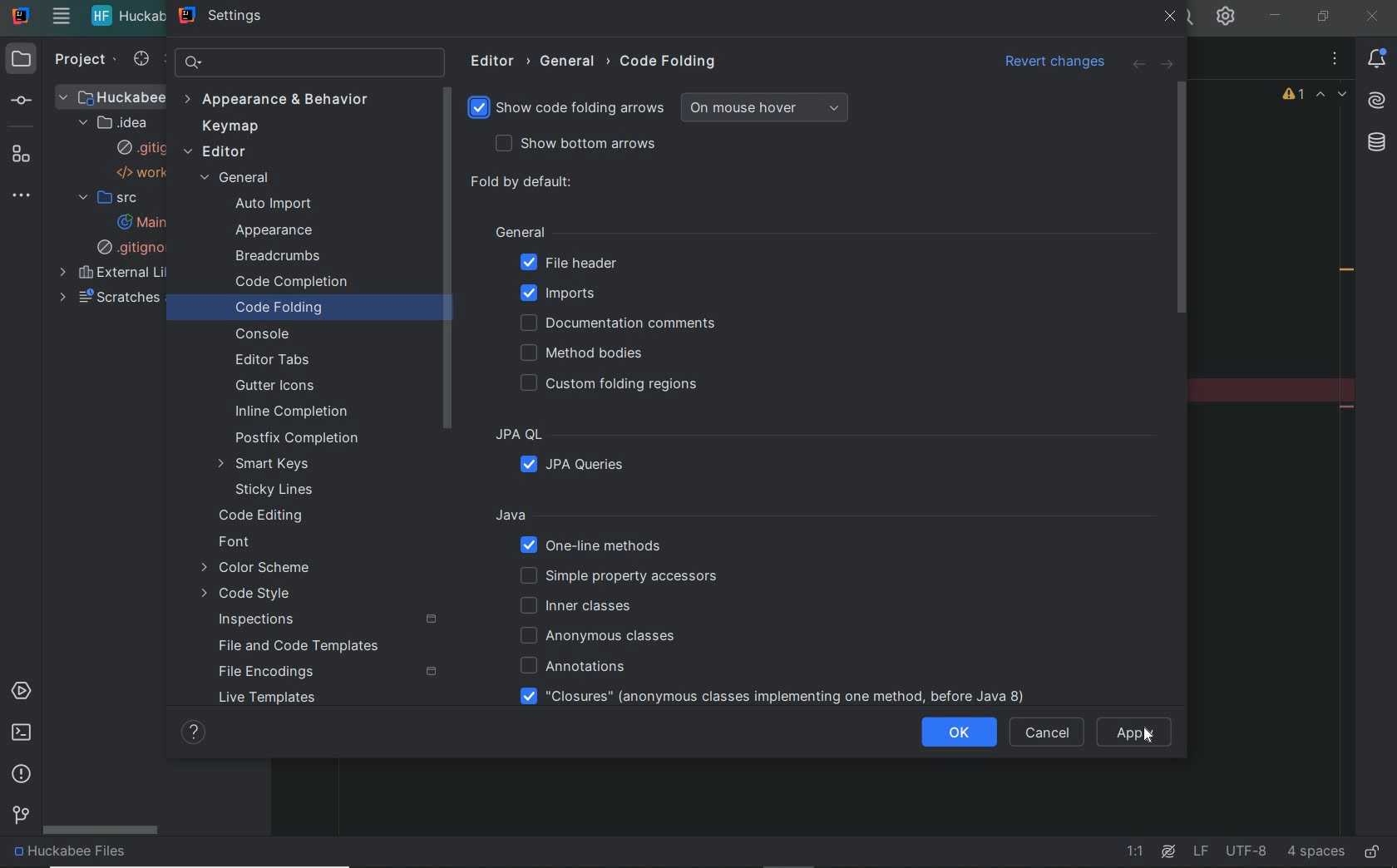  What do you see at coordinates (279, 306) in the screenshot?
I see `code folding` at bounding box center [279, 306].